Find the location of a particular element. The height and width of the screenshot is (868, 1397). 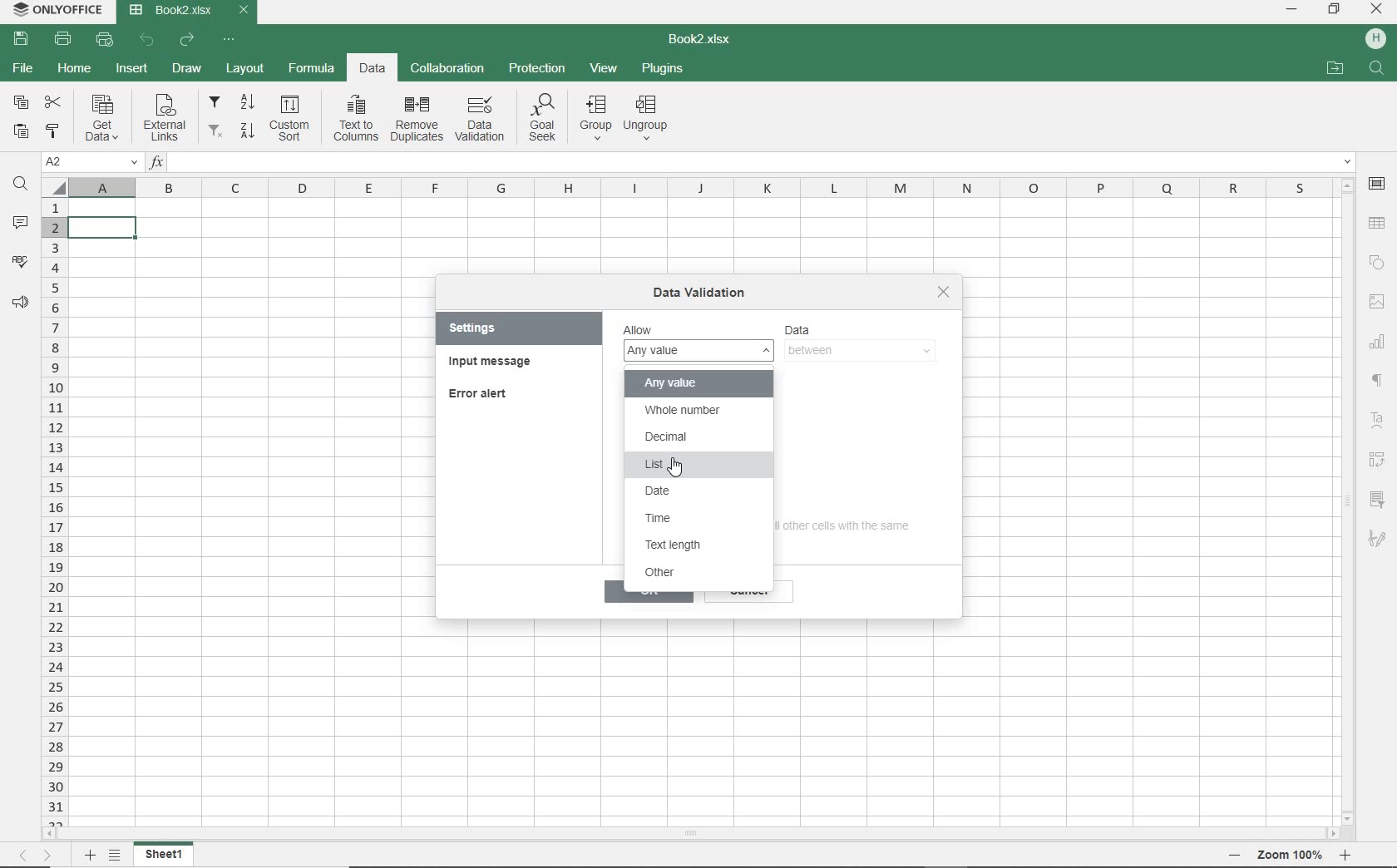

COMMENTS is located at coordinates (18, 224).